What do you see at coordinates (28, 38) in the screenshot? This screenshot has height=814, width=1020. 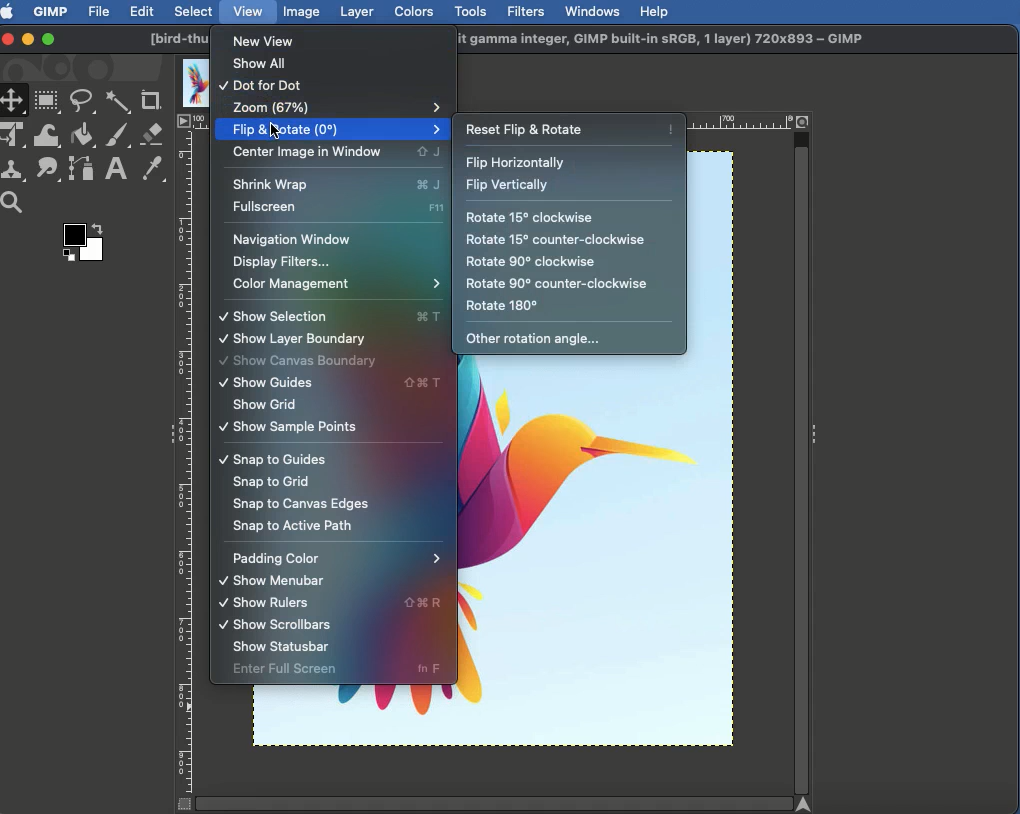 I see `Minimize` at bounding box center [28, 38].